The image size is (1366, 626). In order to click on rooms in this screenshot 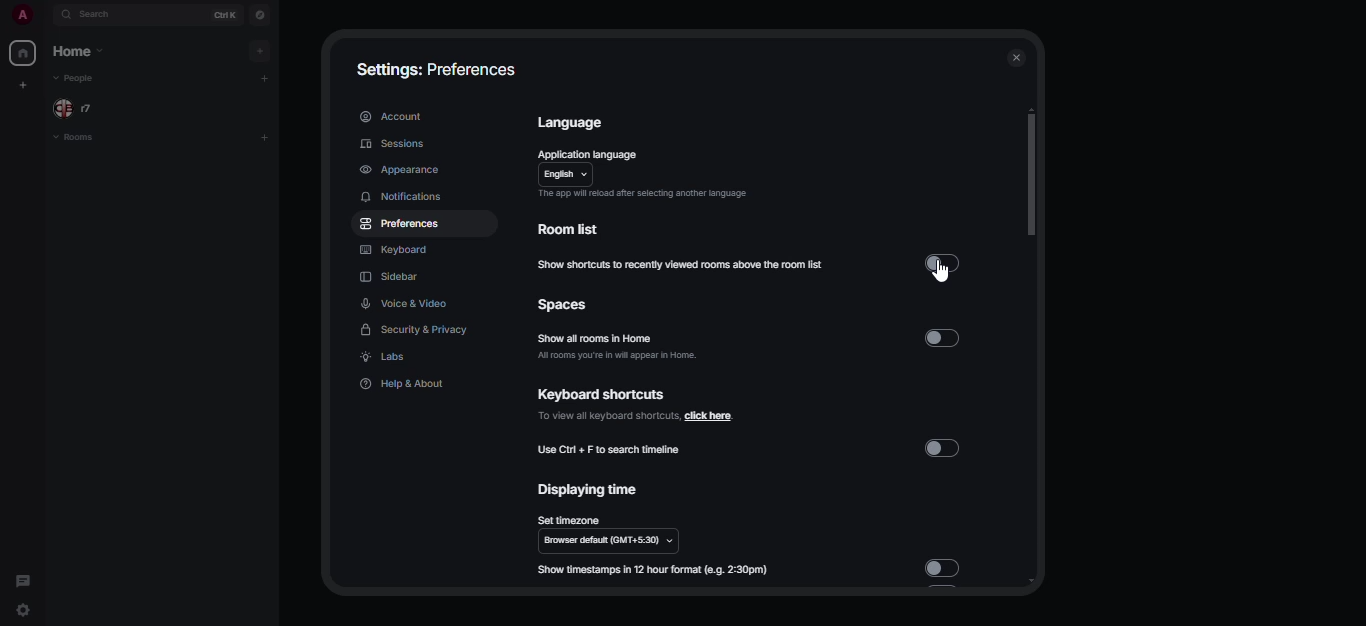, I will do `click(82, 137)`.